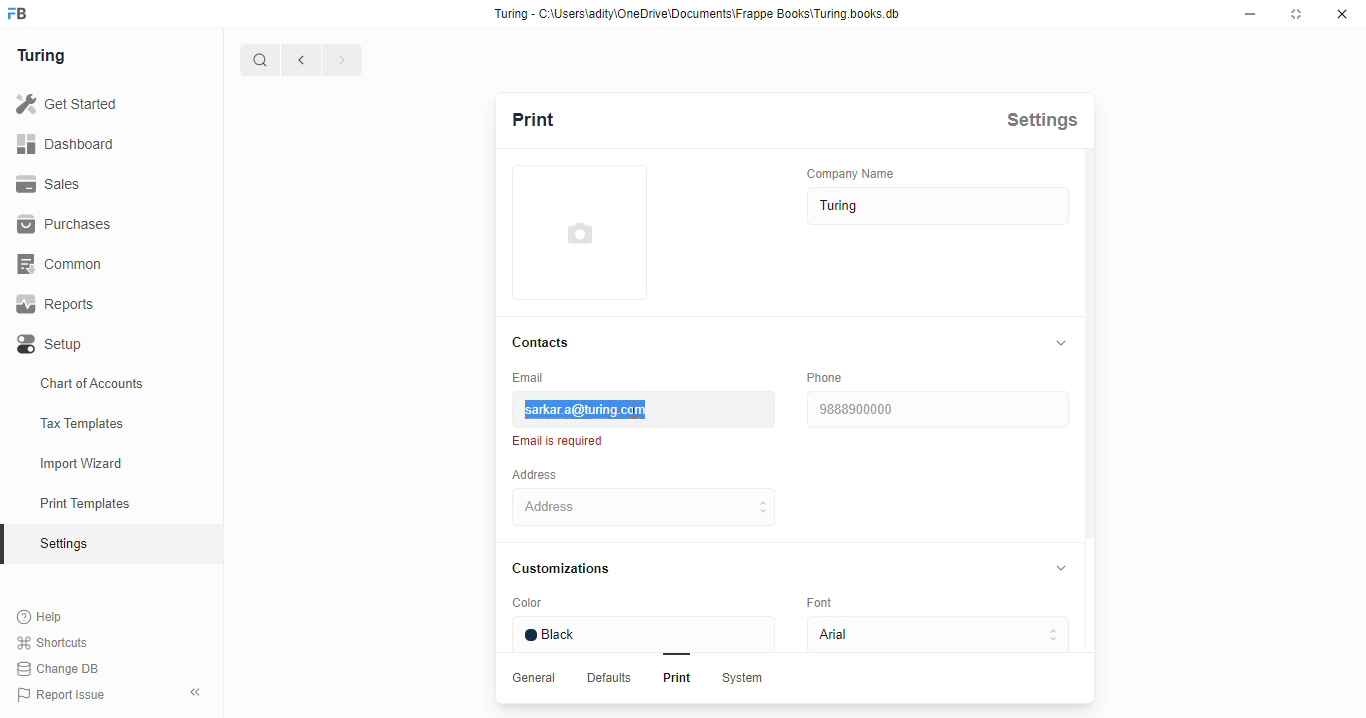  I want to click on Setup, so click(92, 344).